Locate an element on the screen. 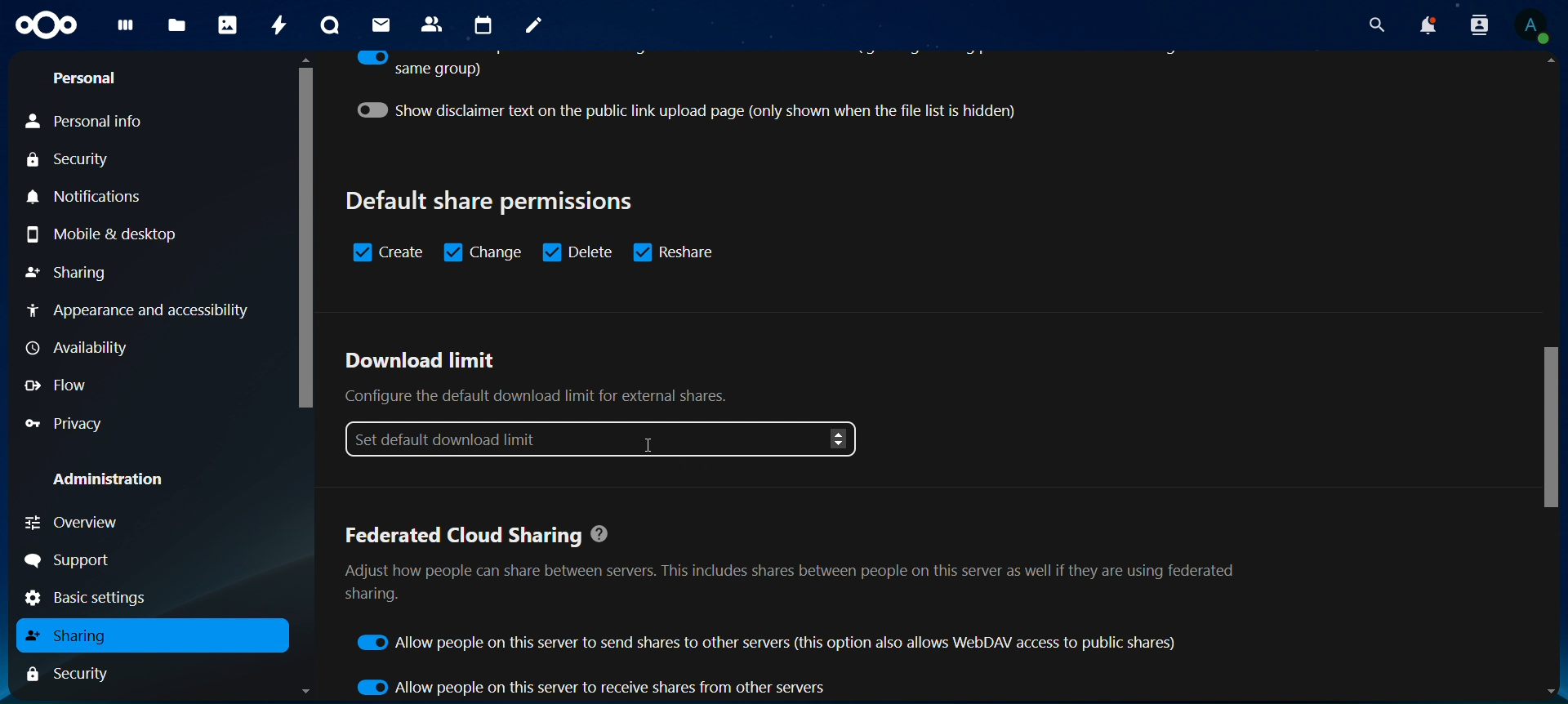 This screenshot has width=1568, height=704. mail is located at coordinates (383, 25).